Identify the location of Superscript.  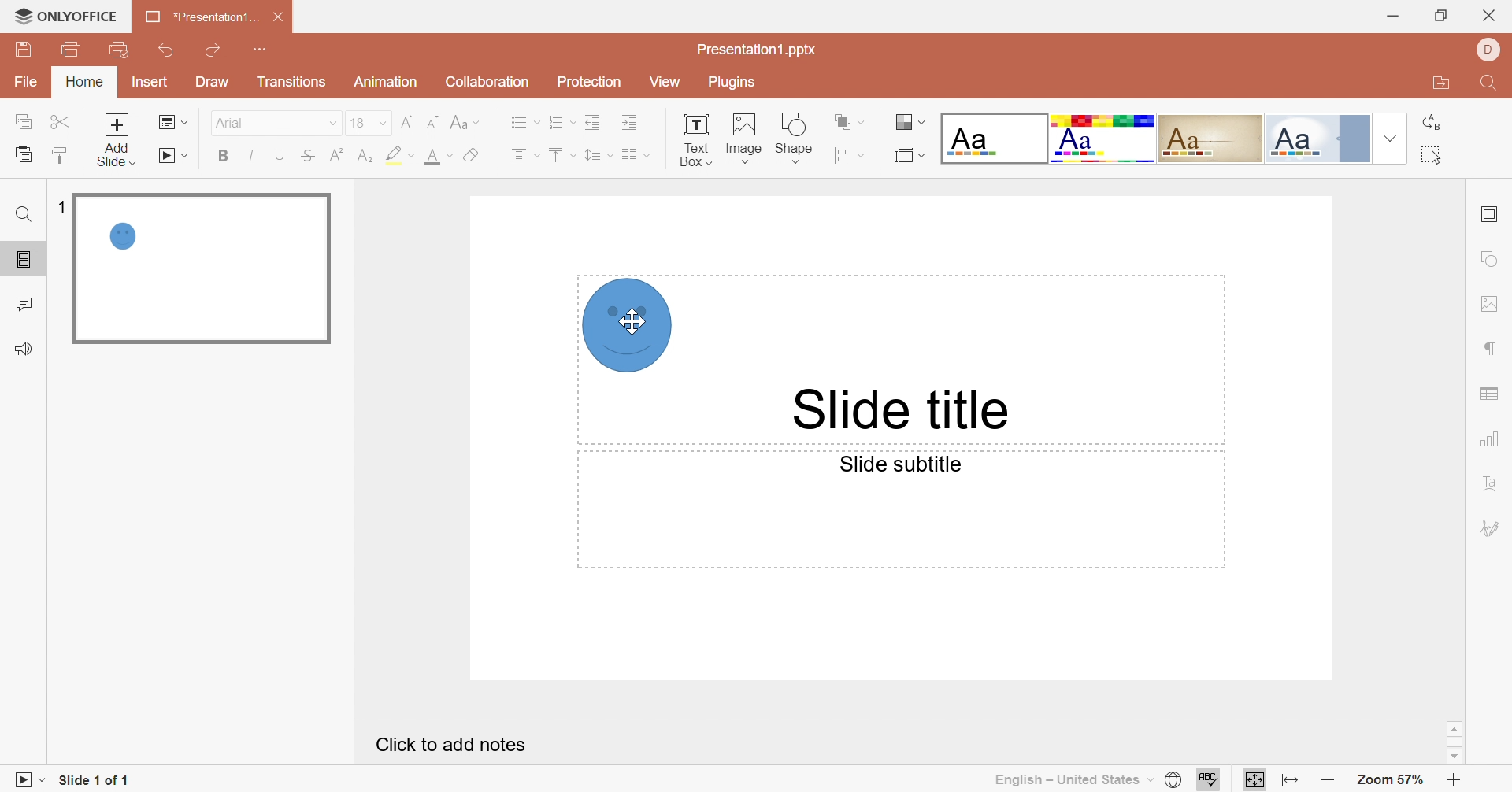
(333, 156).